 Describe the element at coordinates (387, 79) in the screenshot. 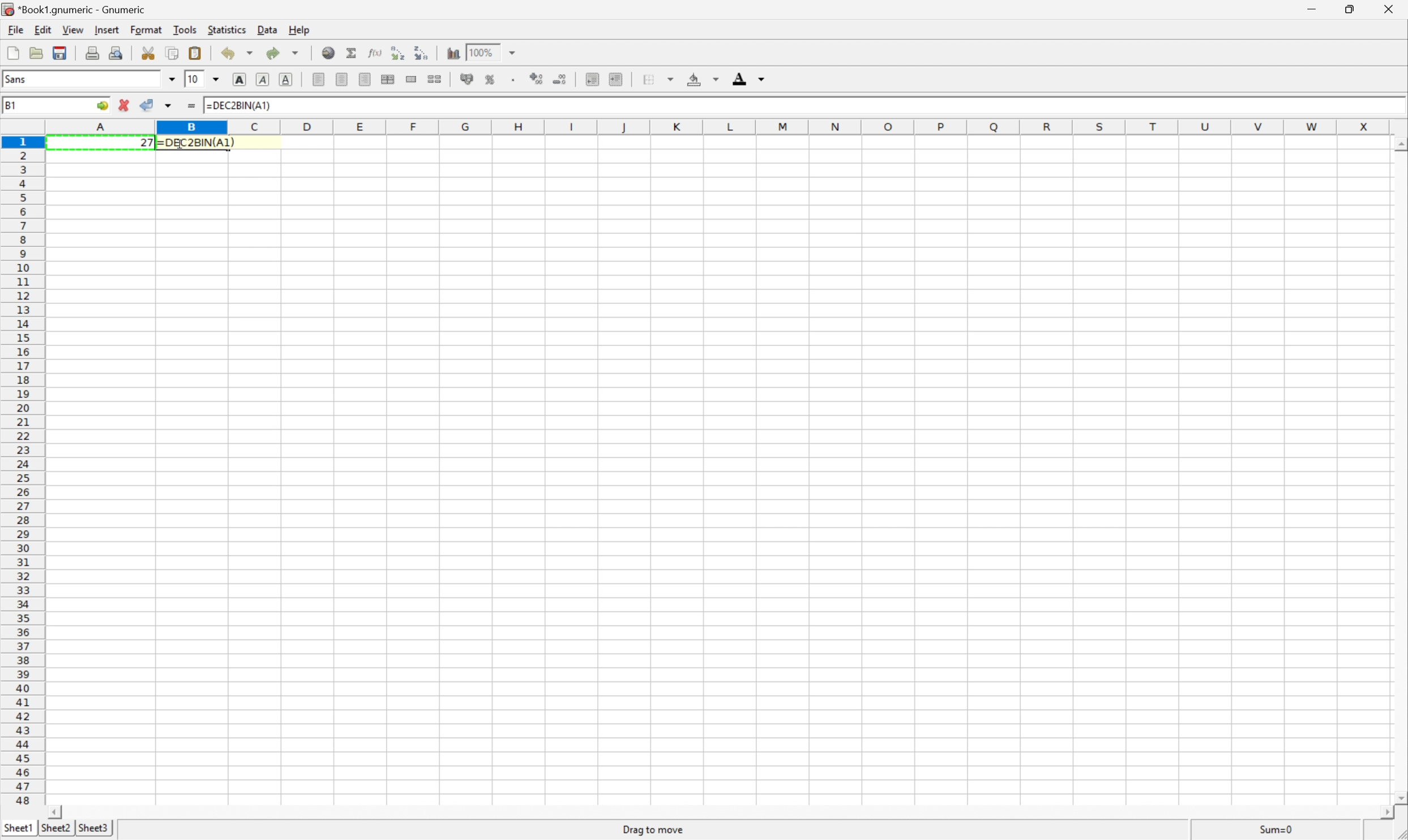

I see `Center horizontally across selection` at that location.